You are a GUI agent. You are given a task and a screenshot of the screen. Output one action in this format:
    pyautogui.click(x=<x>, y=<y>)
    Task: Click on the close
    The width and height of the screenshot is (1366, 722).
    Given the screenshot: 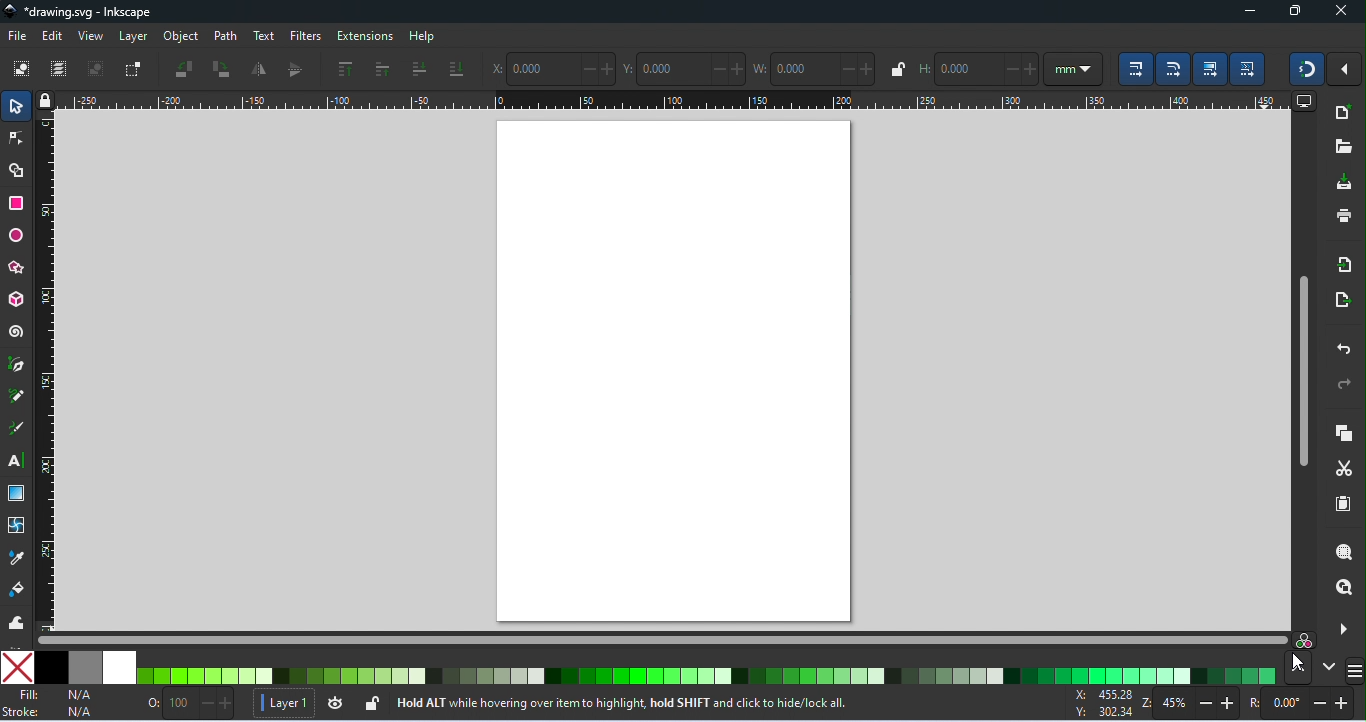 What is the action you would take?
    pyautogui.click(x=1340, y=13)
    